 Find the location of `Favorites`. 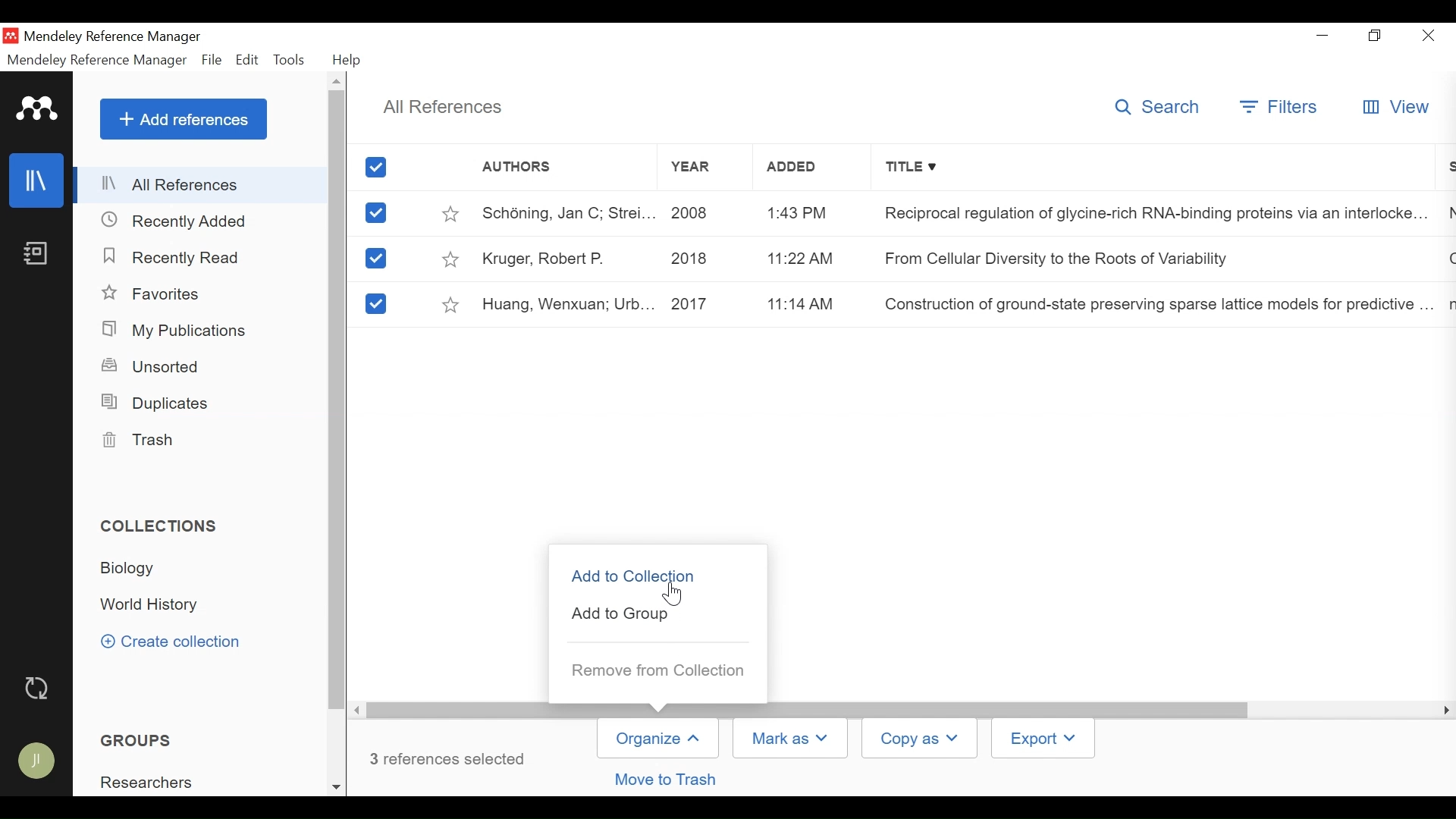

Favorites is located at coordinates (155, 293).